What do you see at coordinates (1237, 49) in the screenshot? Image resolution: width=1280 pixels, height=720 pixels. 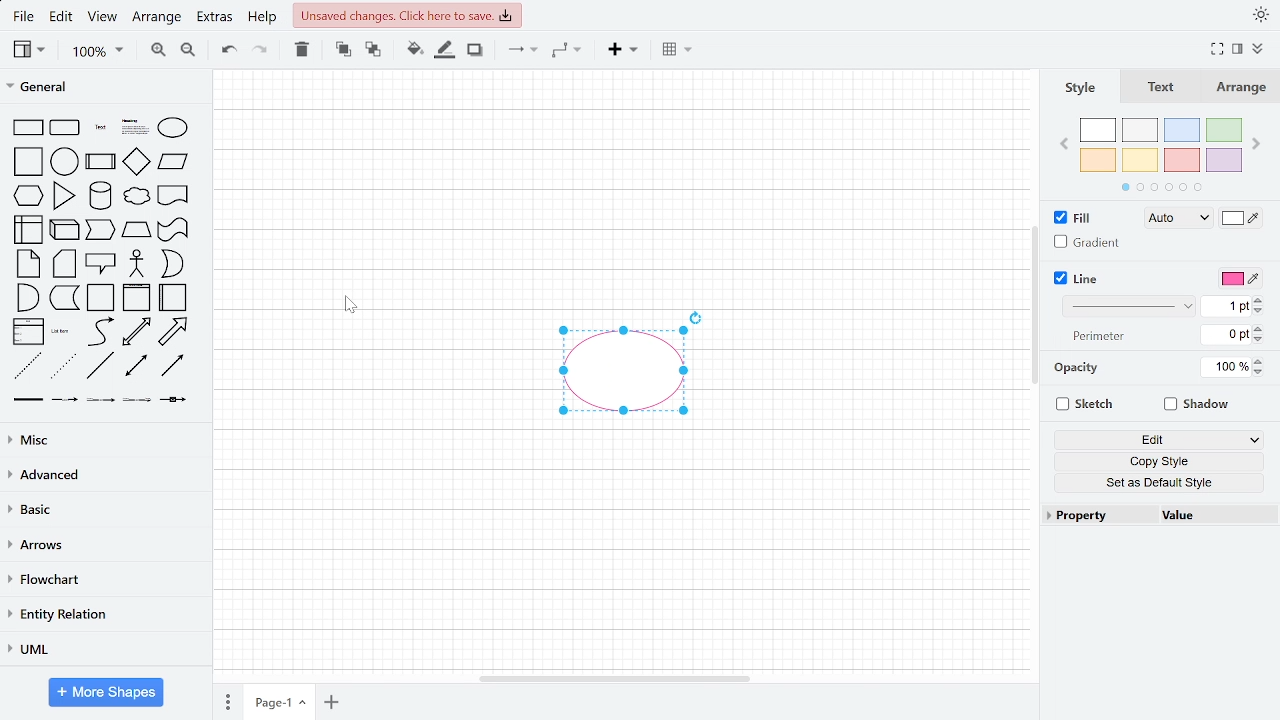 I see `format` at bounding box center [1237, 49].